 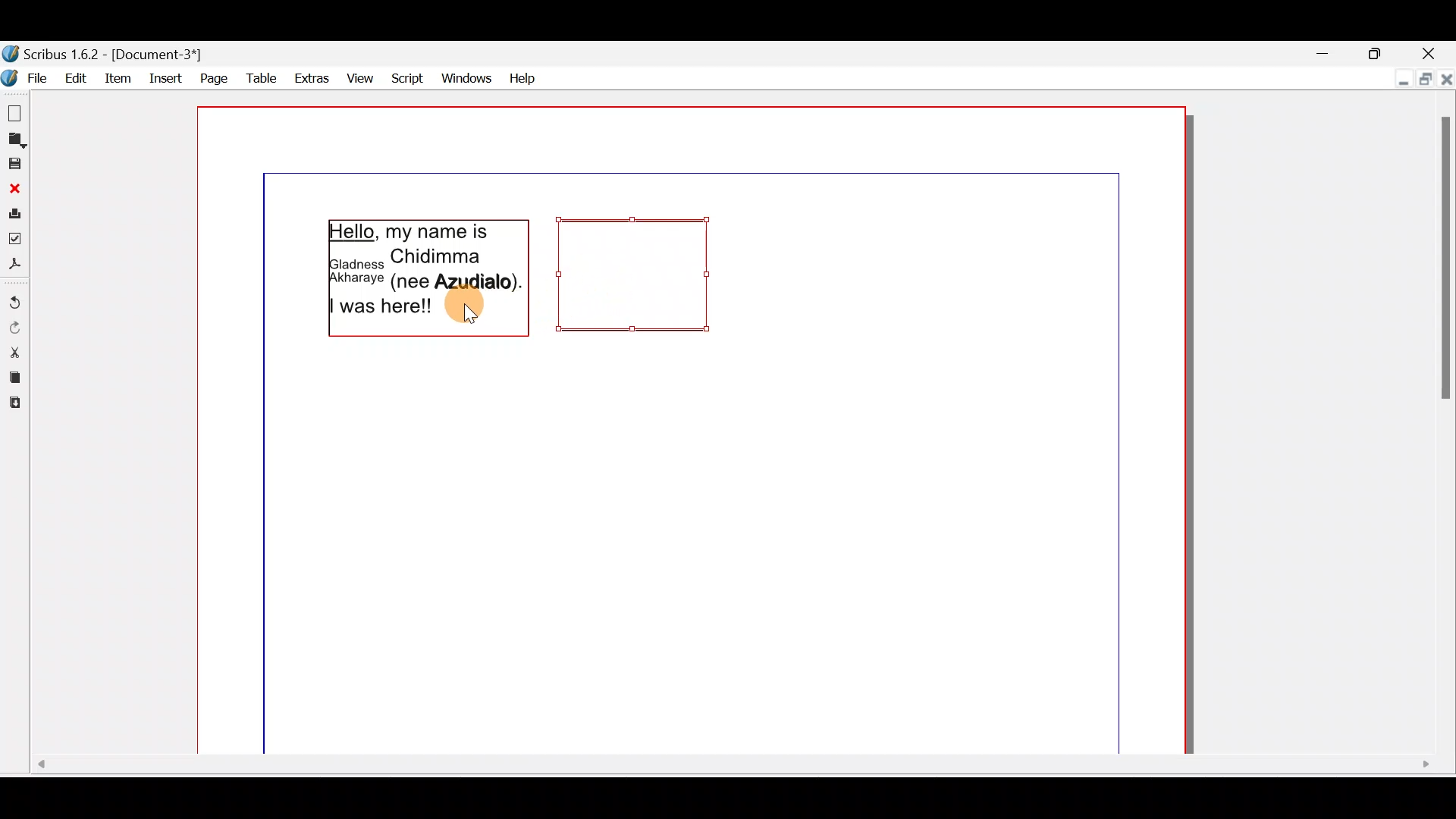 What do you see at coordinates (163, 76) in the screenshot?
I see `Insert` at bounding box center [163, 76].